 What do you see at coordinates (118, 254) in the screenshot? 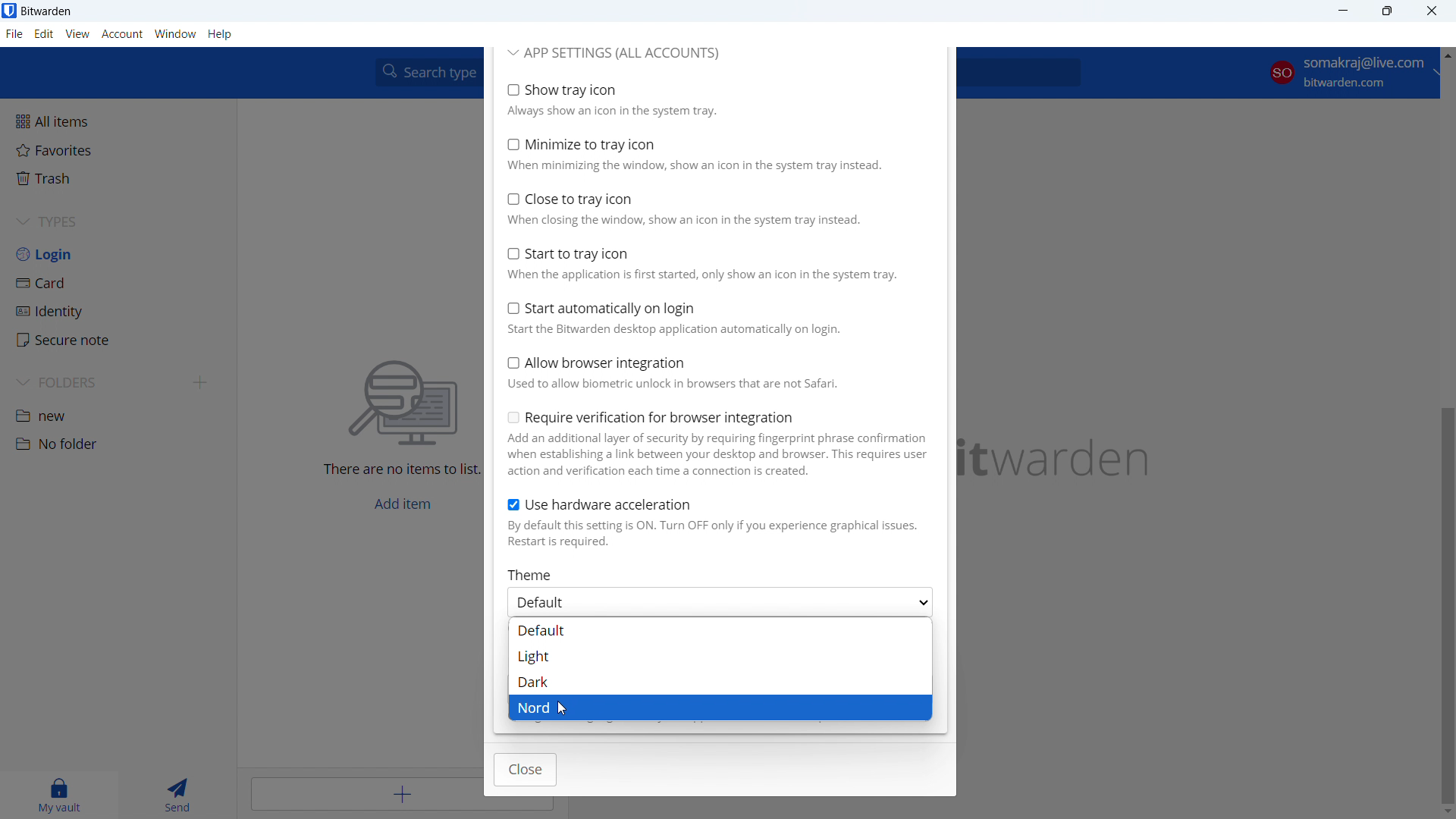
I see `login` at bounding box center [118, 254].